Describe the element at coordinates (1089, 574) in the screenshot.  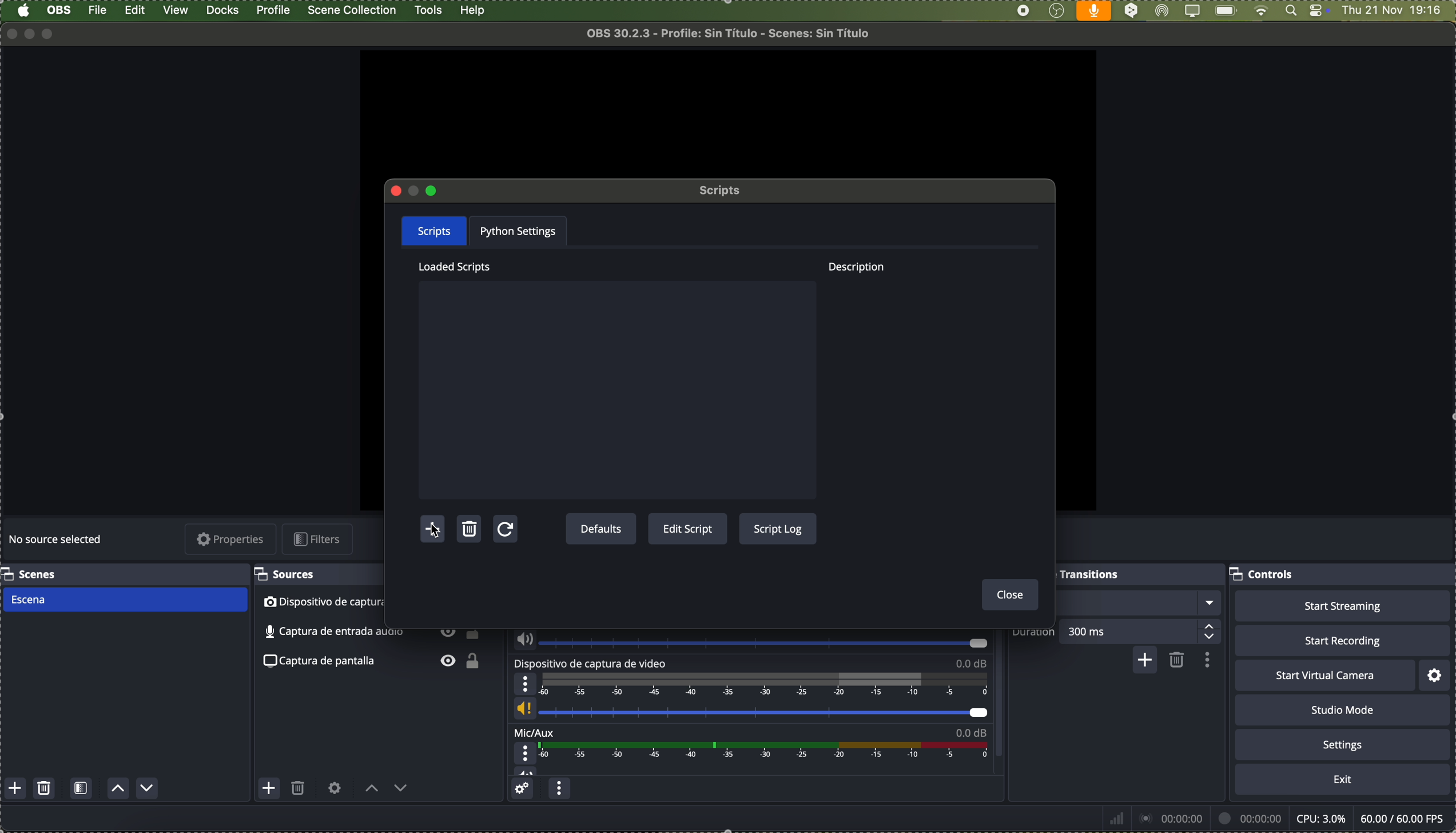
I see `scene transitions` at that location.